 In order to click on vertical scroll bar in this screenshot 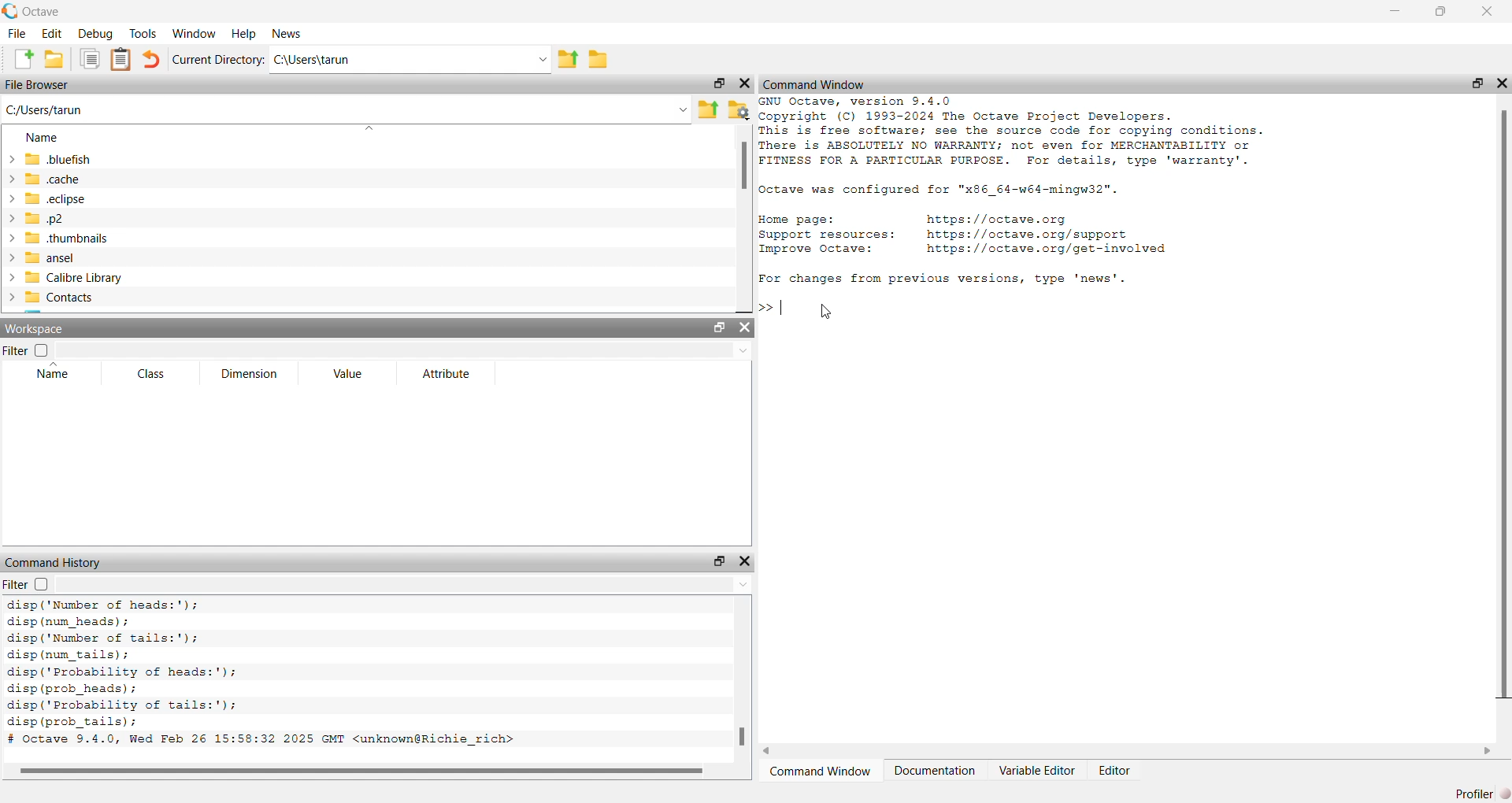, I will do `click(1504, 413)`.